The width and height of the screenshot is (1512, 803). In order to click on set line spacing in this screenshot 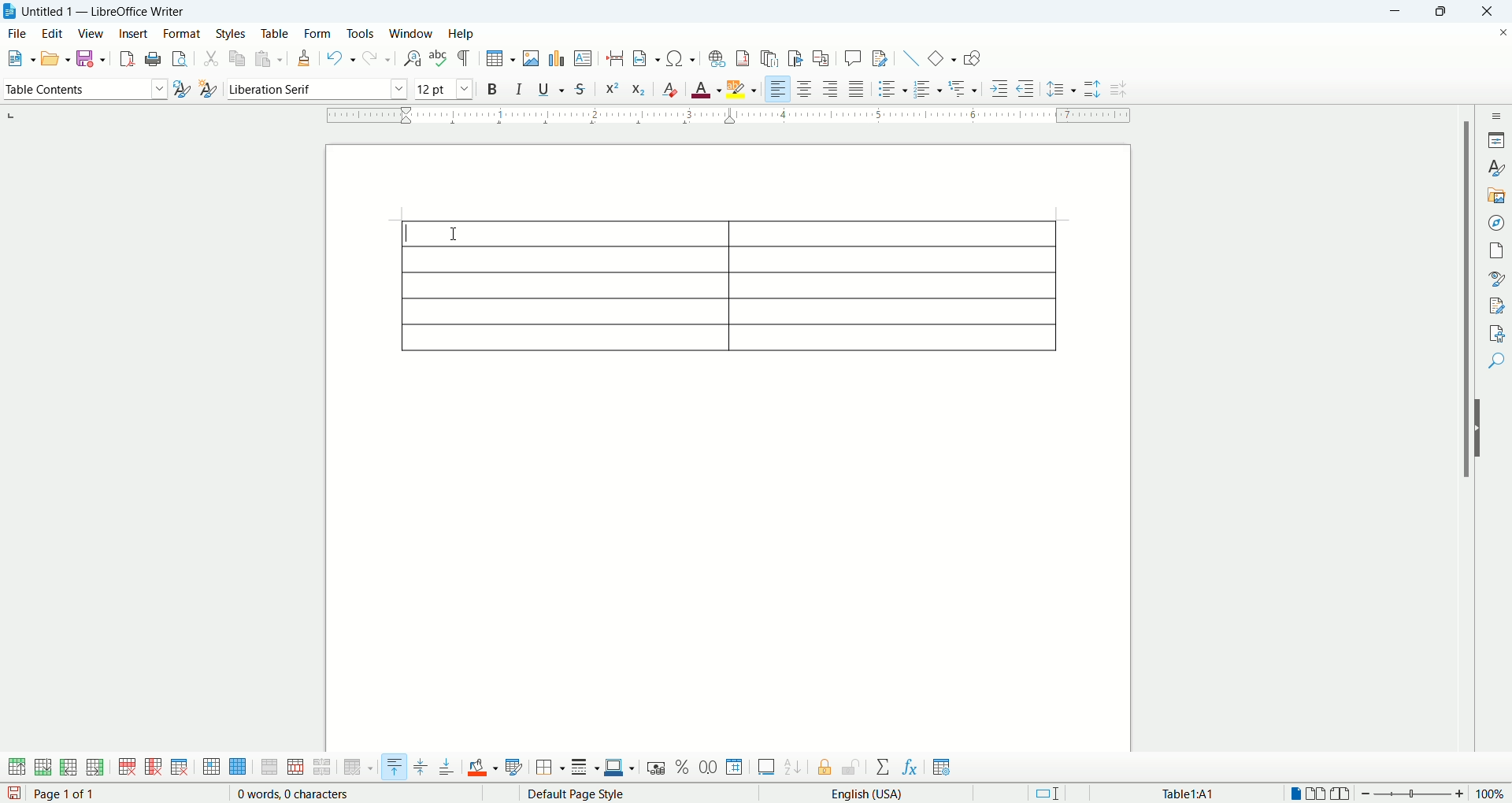, I will do `click(1061, 90)`.